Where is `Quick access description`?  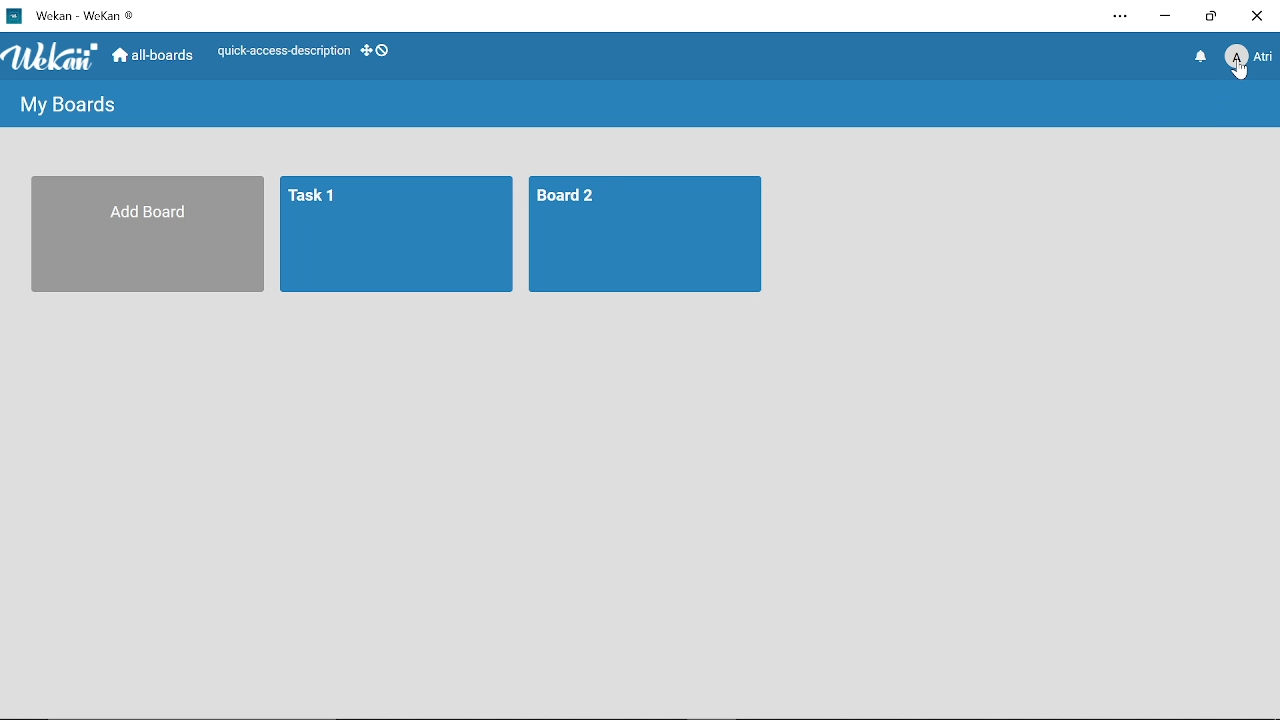
Quick access description is located at coordinates (278, 53).